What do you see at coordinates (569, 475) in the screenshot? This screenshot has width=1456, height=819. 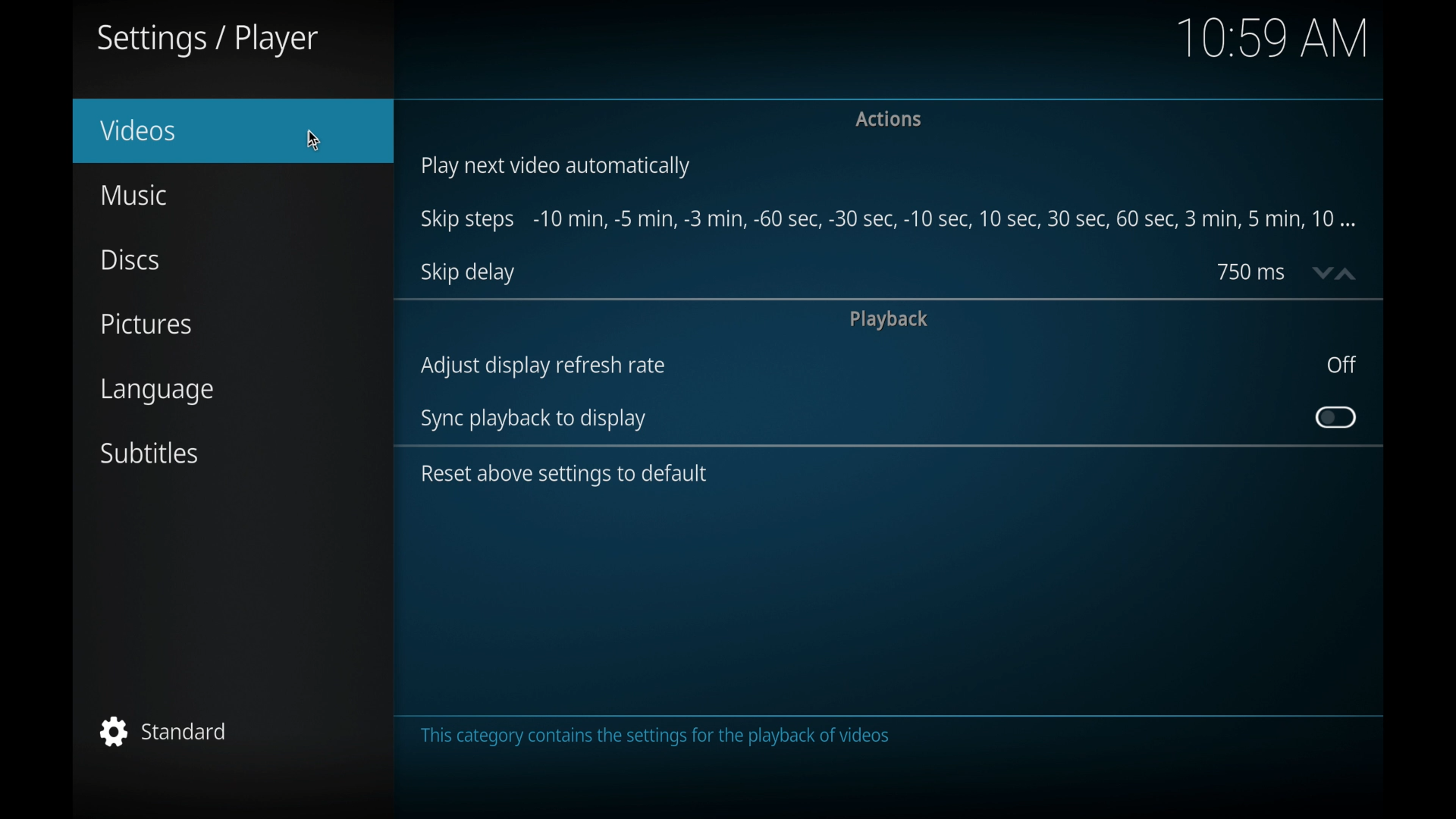 I see `reset above settings to default` at bounding box center [569, 475].